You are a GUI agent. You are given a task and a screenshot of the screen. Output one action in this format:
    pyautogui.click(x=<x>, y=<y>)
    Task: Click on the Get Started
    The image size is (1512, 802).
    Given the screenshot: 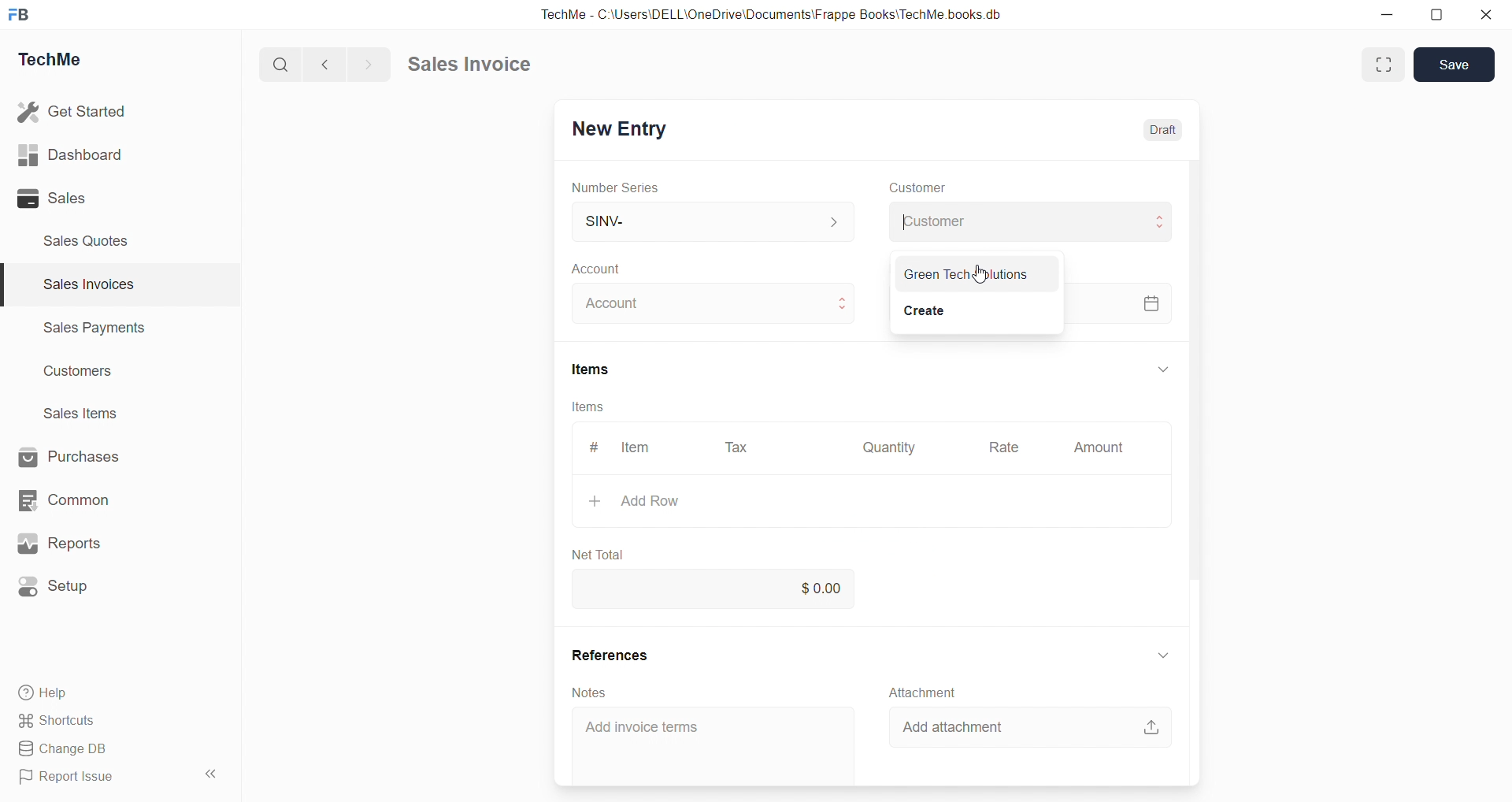 What is the action you would take?
    pyautogui.click(x=73, y=111)
    